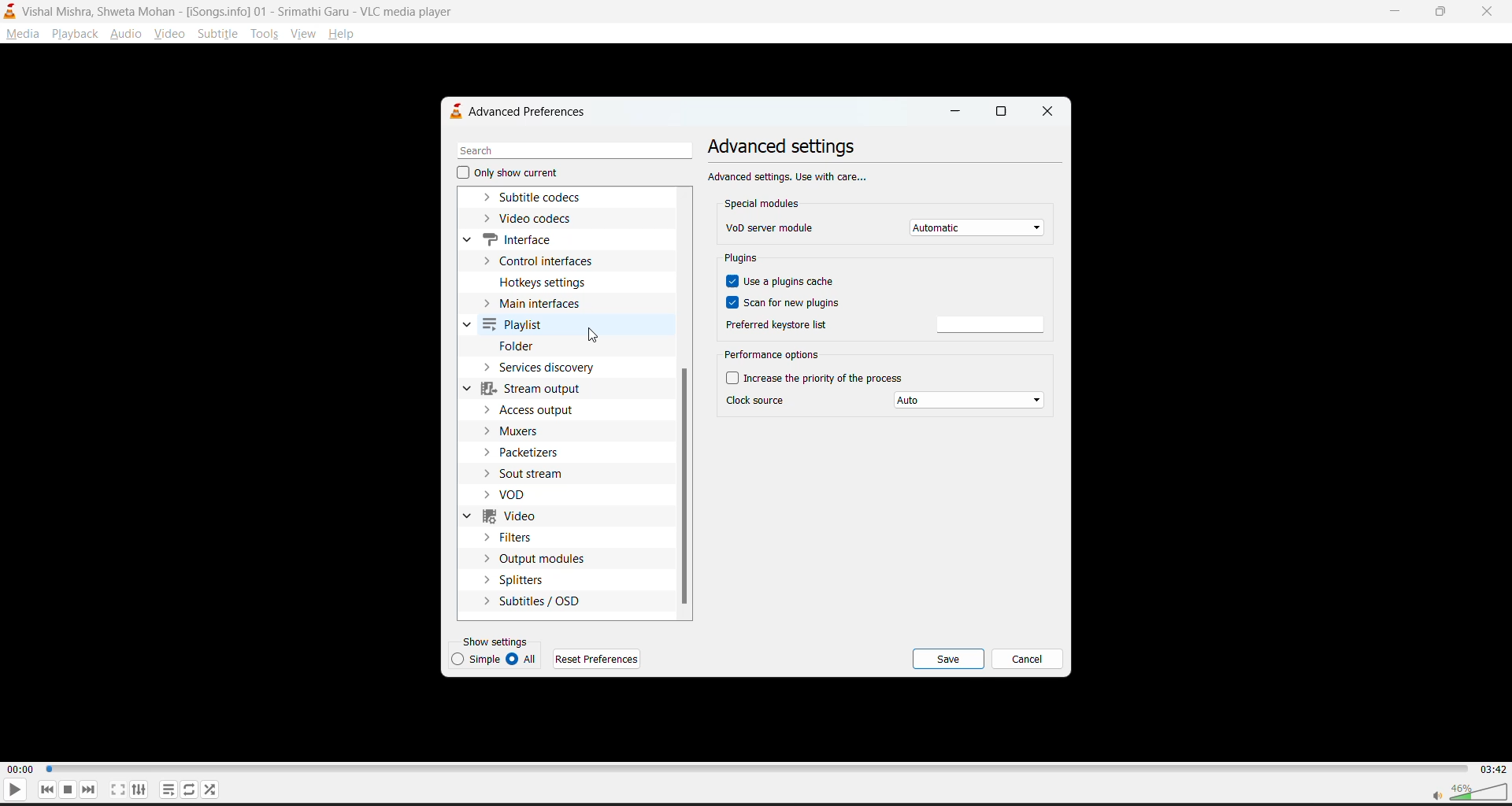 The height and width of the screenshot is (806, 1512). I want to click on simple, so click(472, 660).